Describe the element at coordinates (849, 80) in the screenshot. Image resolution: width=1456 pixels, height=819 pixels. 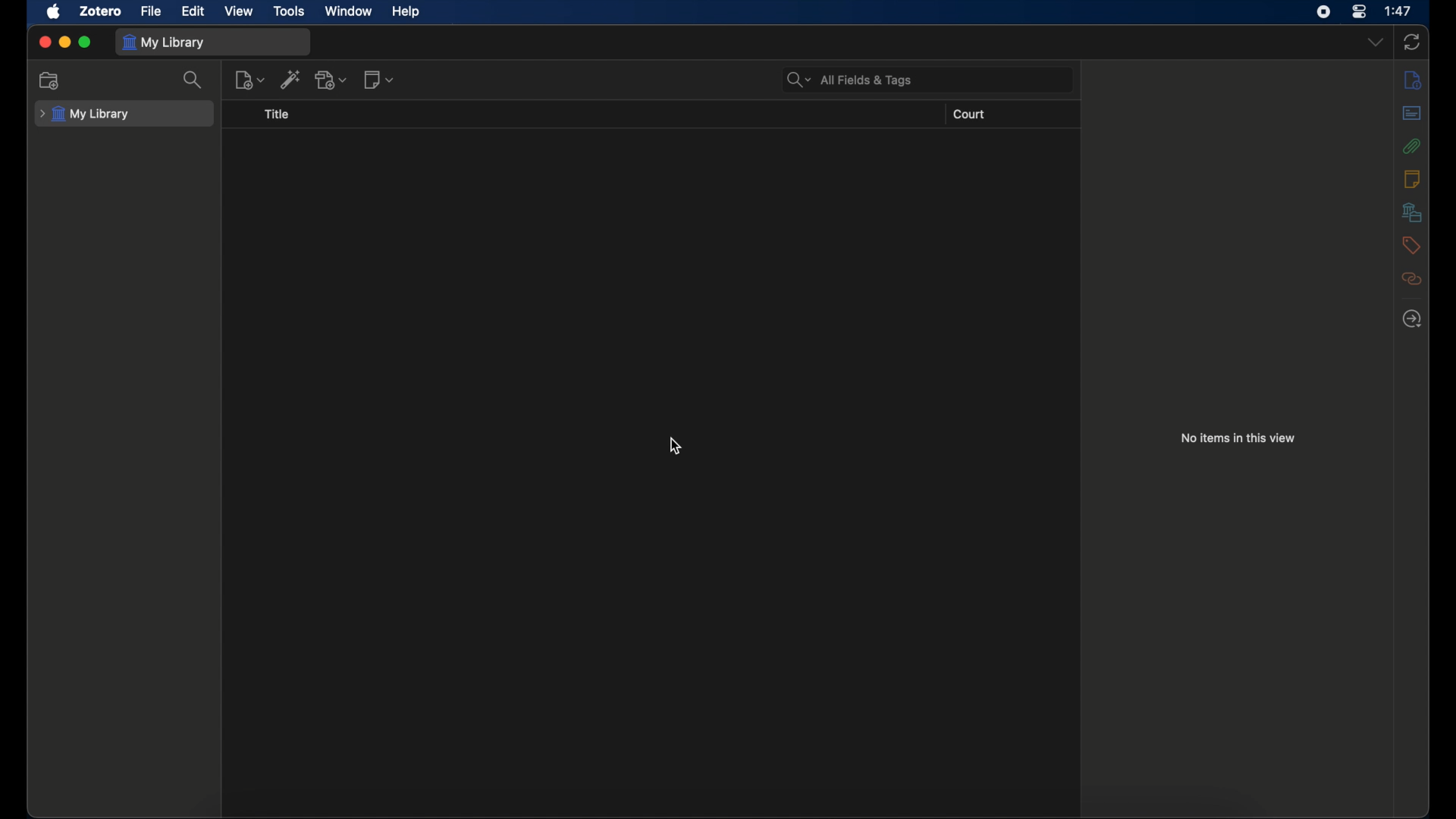
I see `all fields & tags` at that location.